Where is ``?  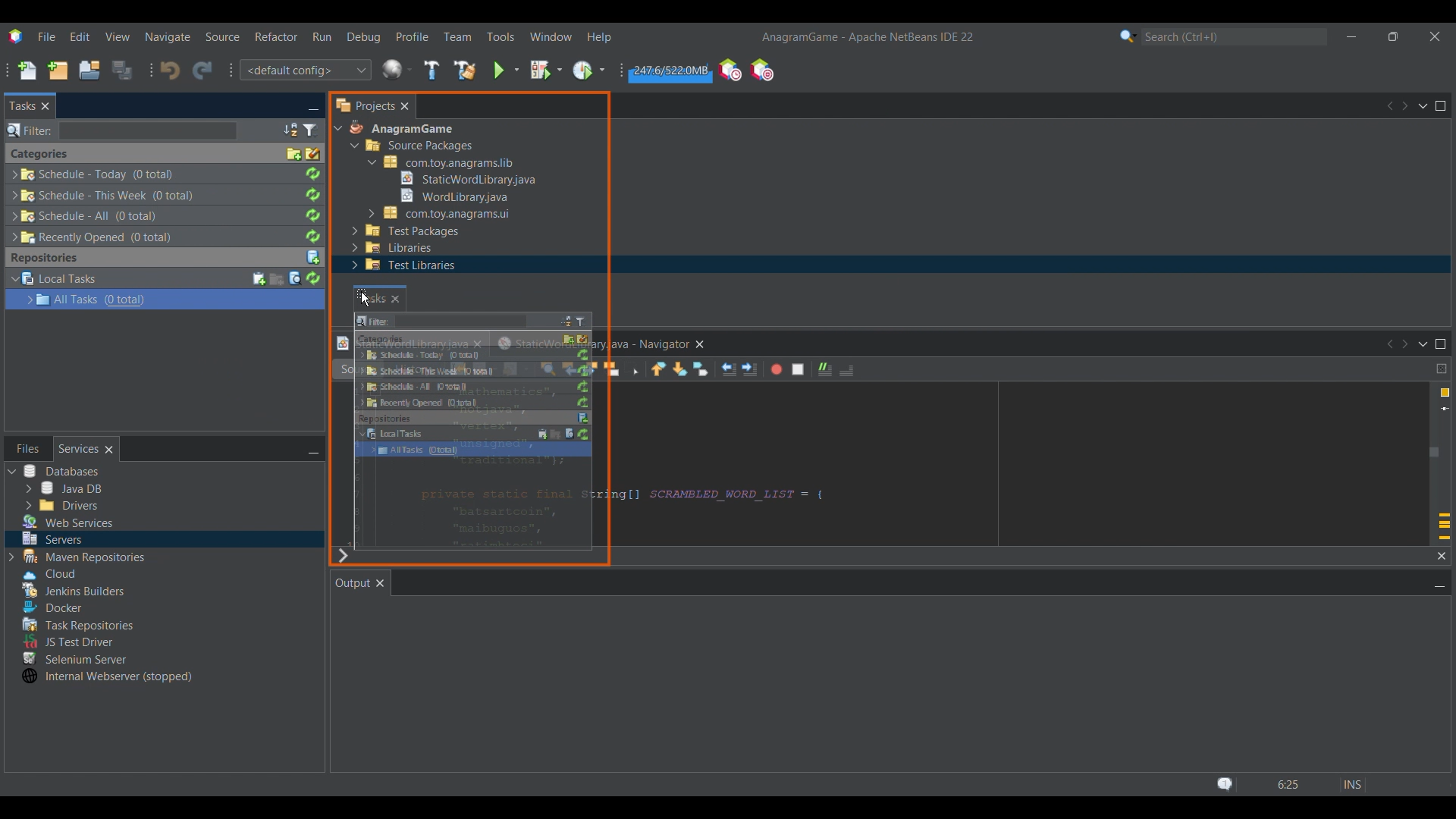
 is located at coordinates (656, 344).